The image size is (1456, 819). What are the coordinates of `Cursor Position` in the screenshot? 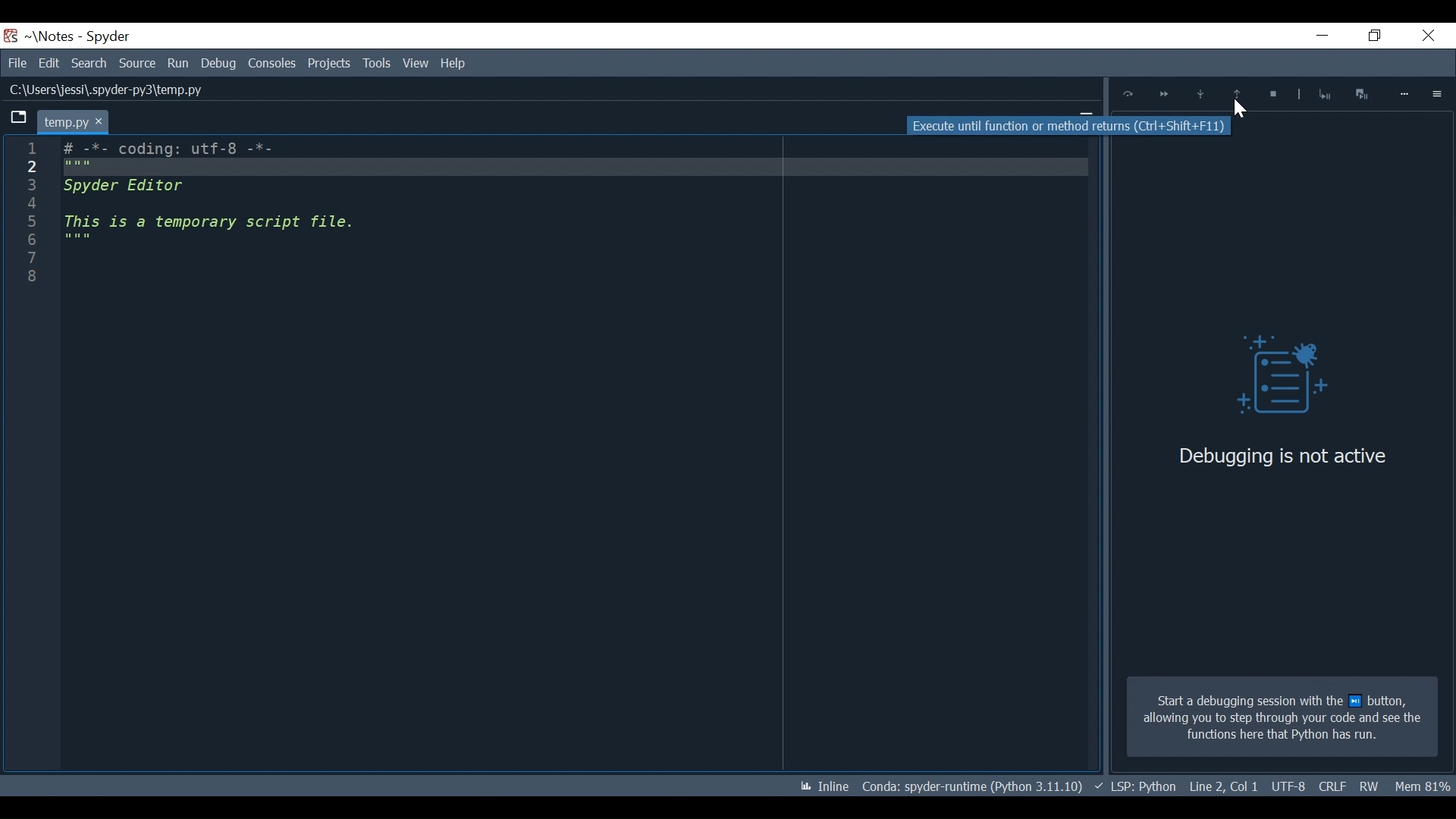 It's located at (1288, 787).